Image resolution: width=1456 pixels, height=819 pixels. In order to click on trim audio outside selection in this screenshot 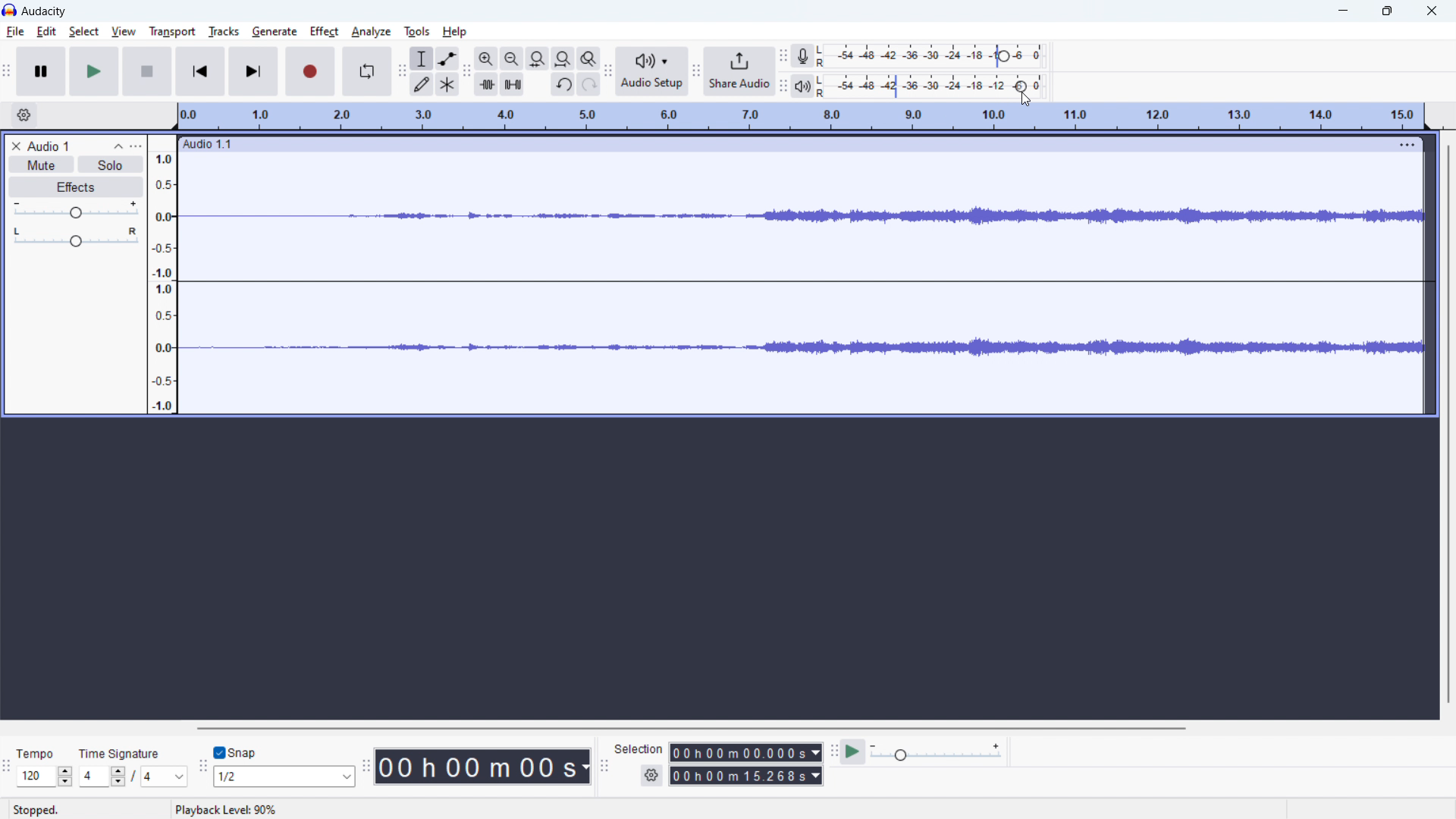, I will do `click(486, 84)`.